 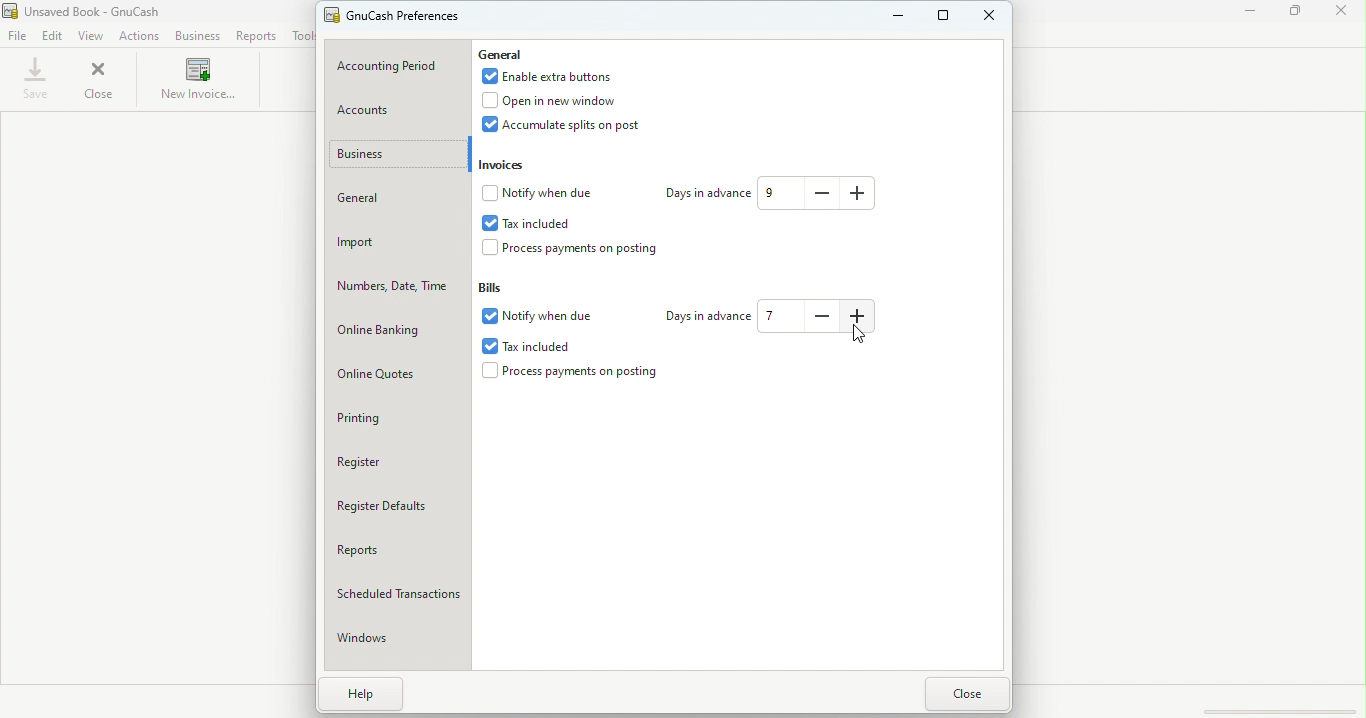 I want to click on Decrease, so click(x=825, y=191).